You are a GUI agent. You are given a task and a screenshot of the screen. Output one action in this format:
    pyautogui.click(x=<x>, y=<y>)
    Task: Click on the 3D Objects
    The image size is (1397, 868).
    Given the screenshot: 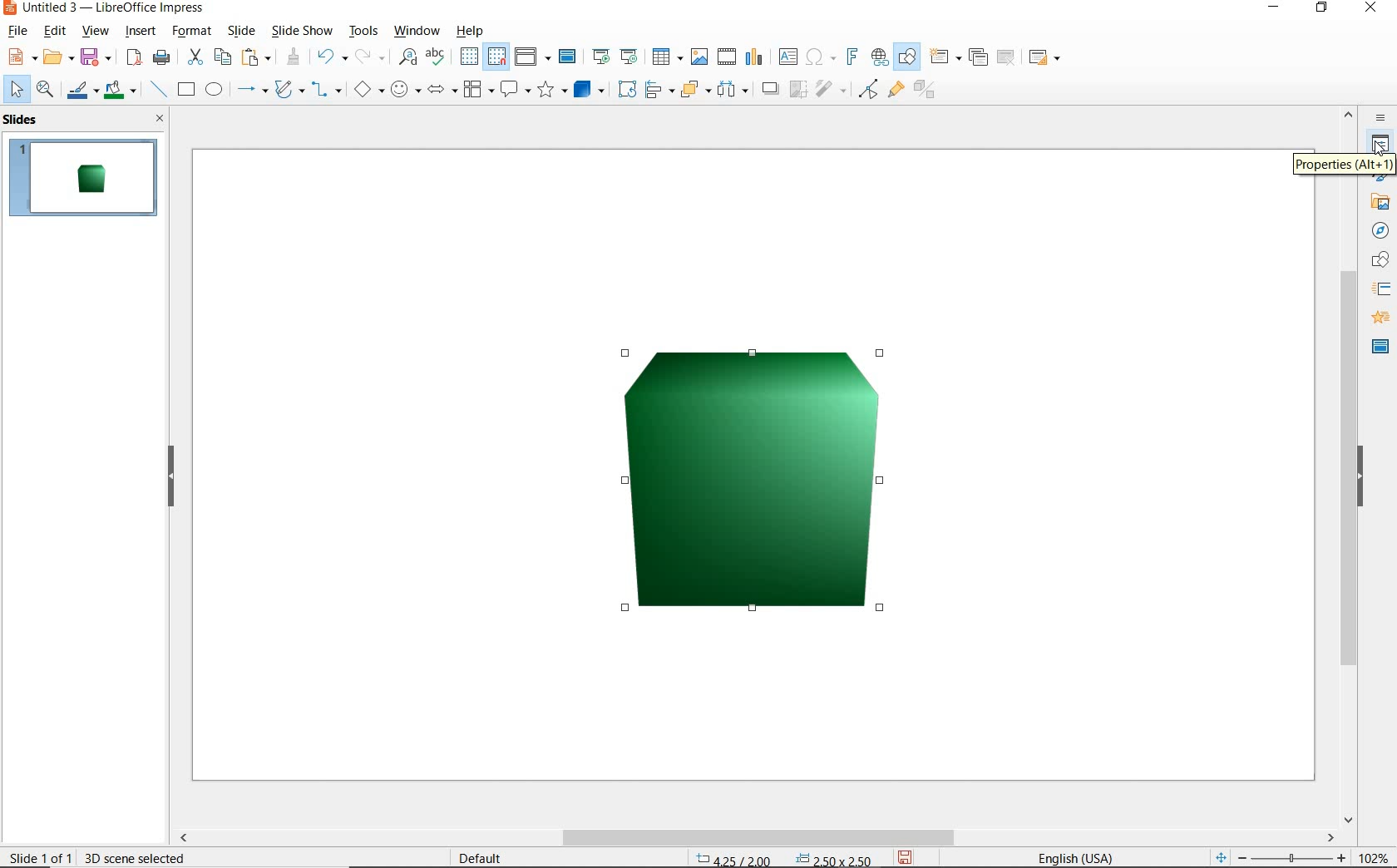 What is the action you would take?
    pyautogui.click(x=590, y=91)
    